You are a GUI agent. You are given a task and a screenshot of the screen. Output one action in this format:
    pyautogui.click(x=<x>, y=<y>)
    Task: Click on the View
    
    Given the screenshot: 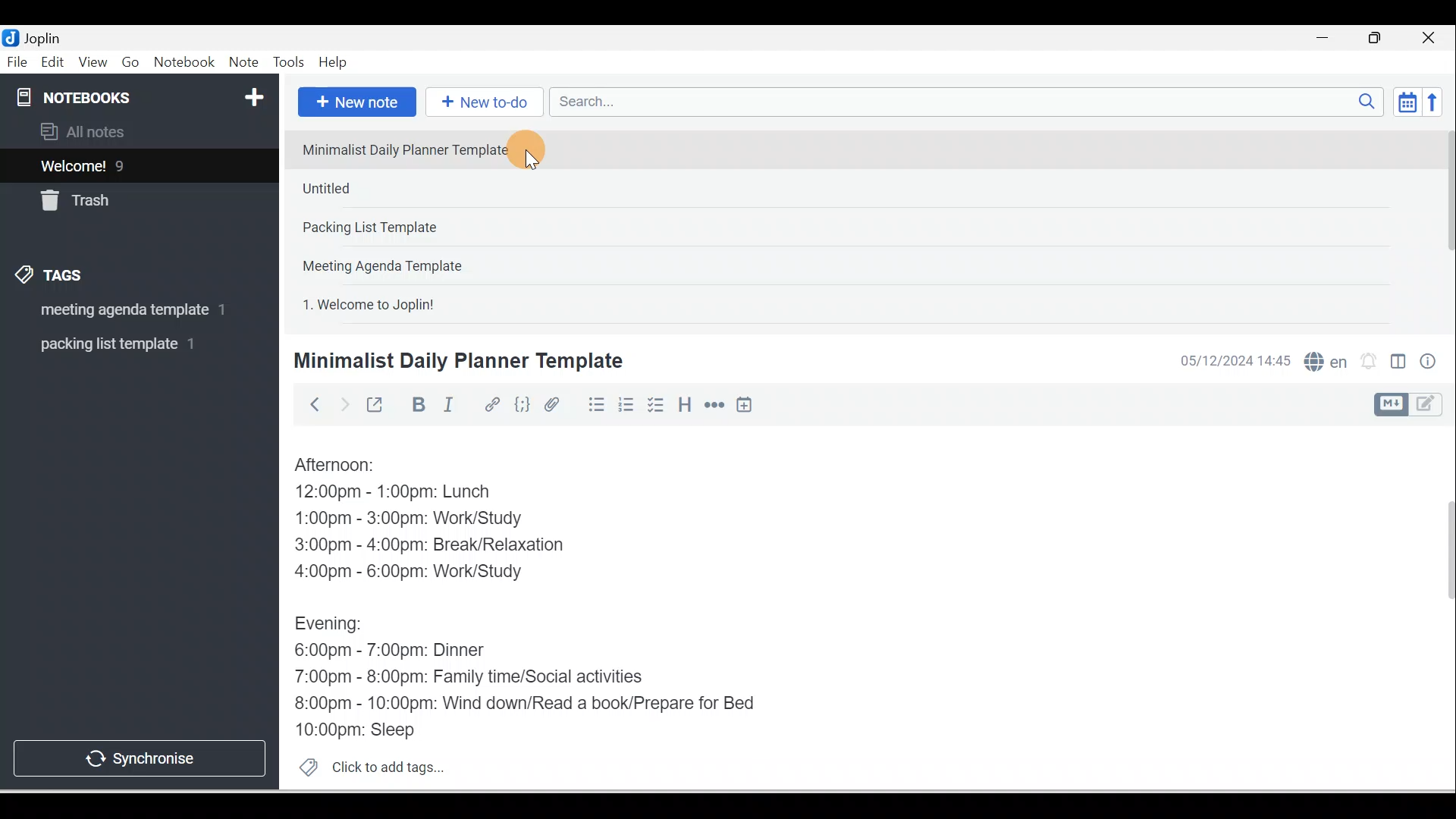 What is the action you would take?
    pyautogui.click(x=93, y=63)
    